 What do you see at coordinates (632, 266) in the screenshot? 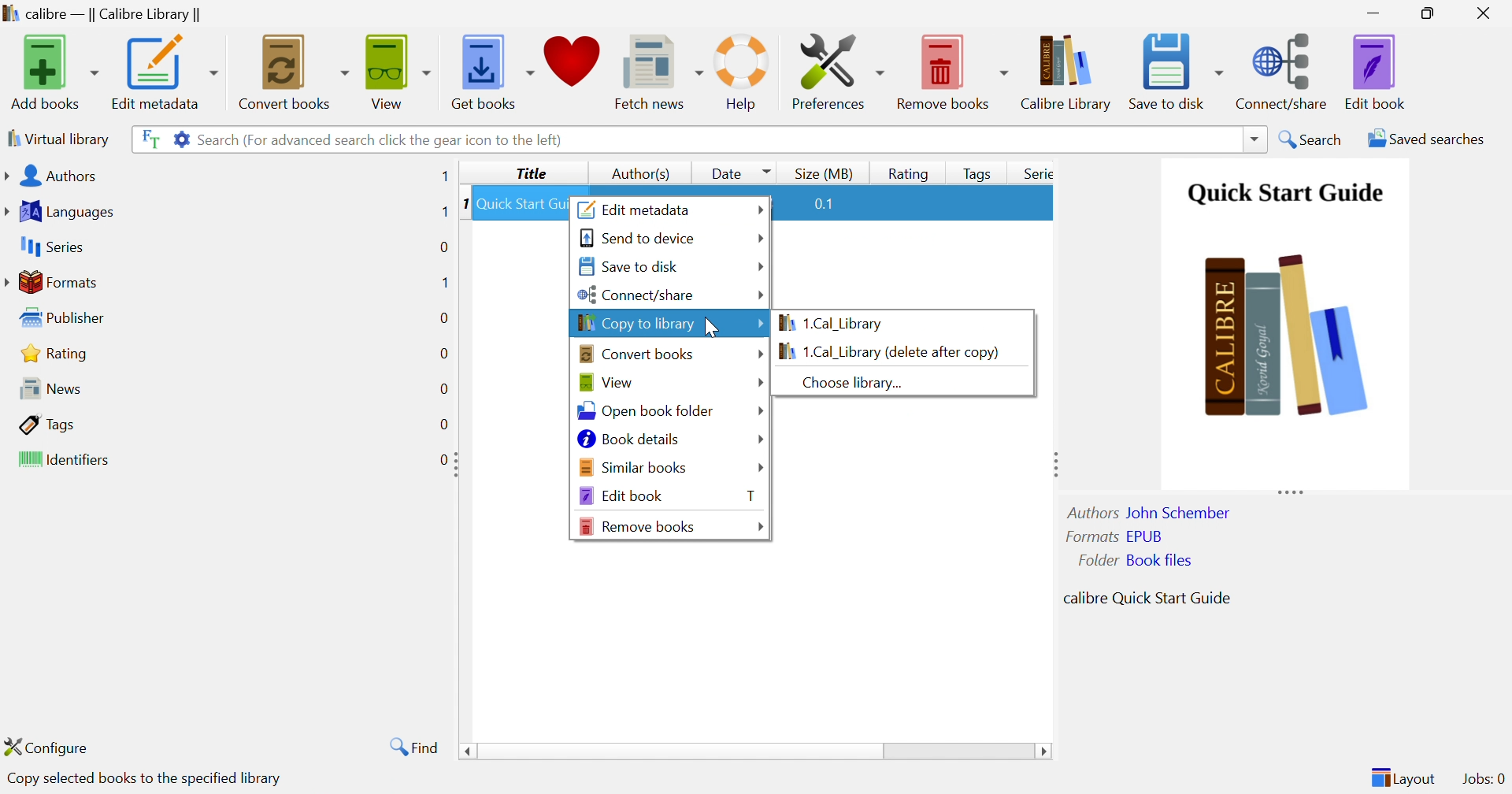
I see `Save to disk` at bounding box center [632, 266].